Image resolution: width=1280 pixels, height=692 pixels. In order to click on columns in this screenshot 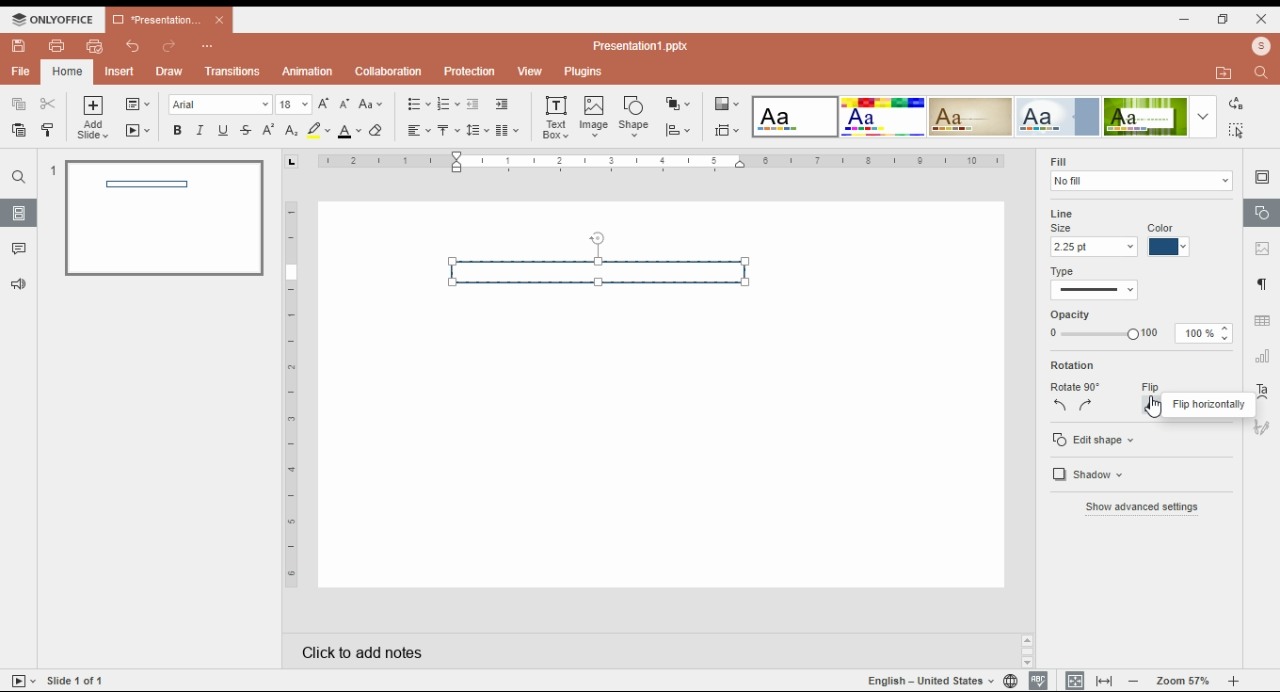, I will do `click(509, 130)`.